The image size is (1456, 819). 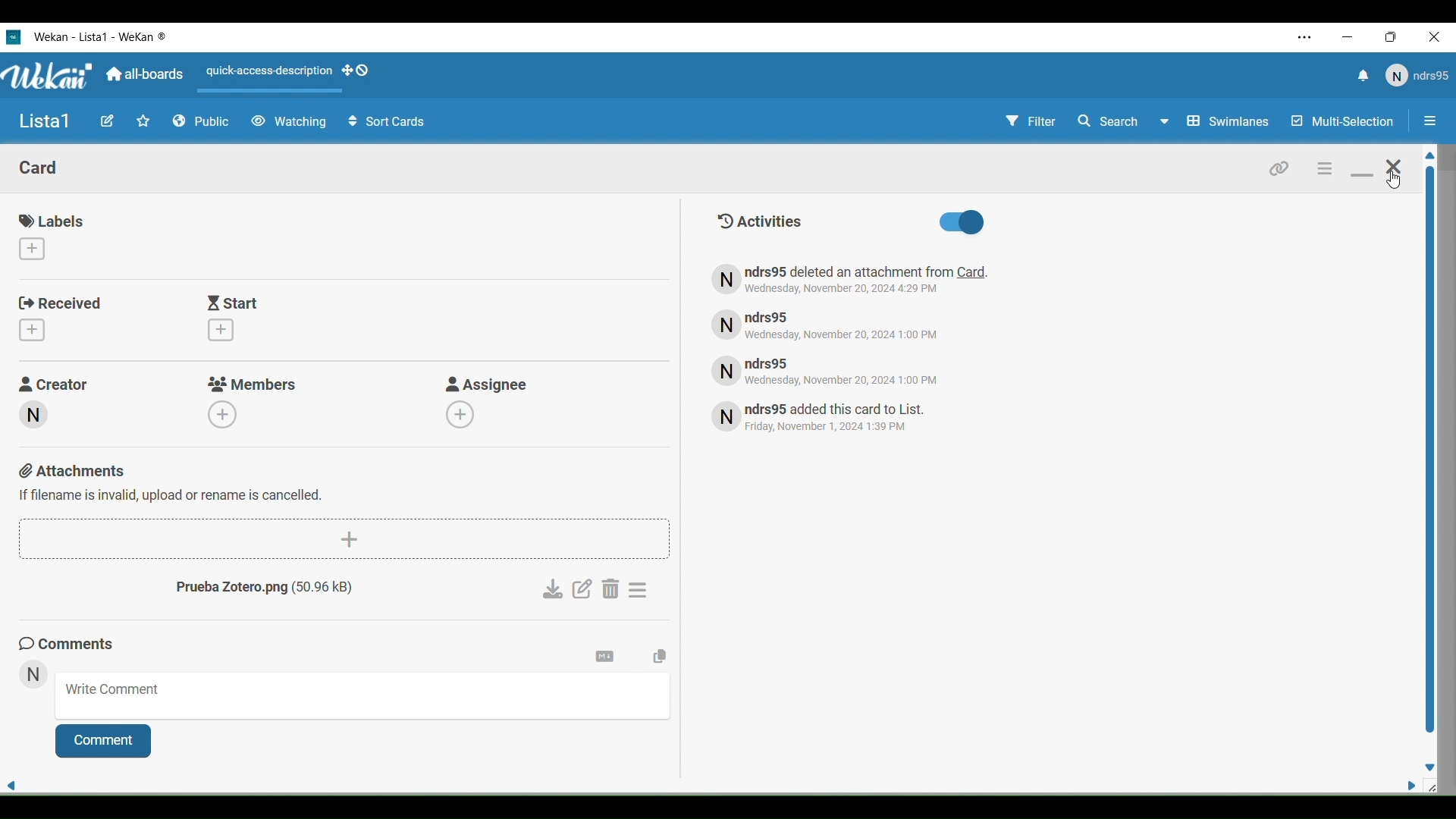 I want to click on Add members, so click(x=223, y=413).